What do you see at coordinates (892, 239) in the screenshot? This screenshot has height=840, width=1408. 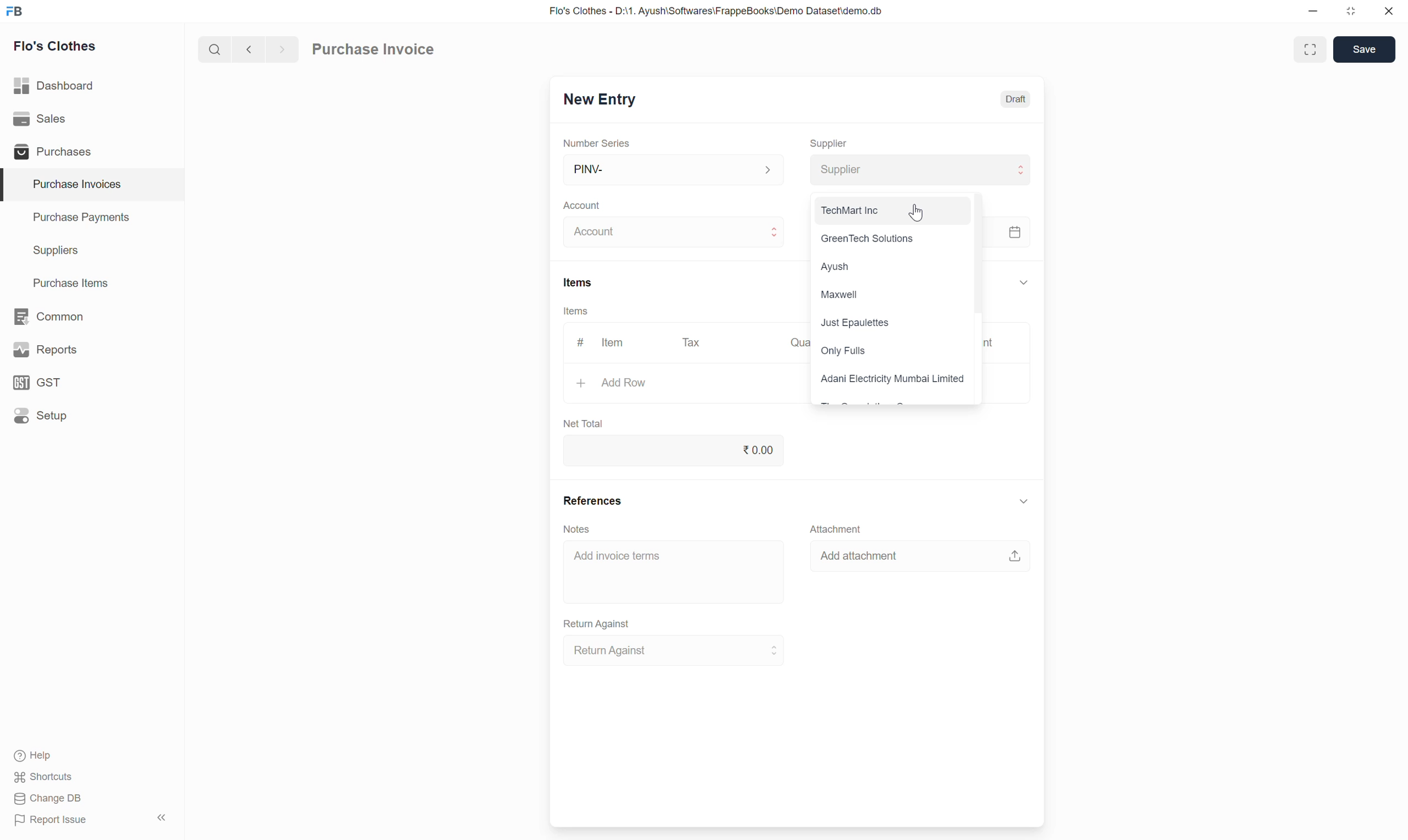 I see `GreenTech Solutions` at bounding box center [892, 239].